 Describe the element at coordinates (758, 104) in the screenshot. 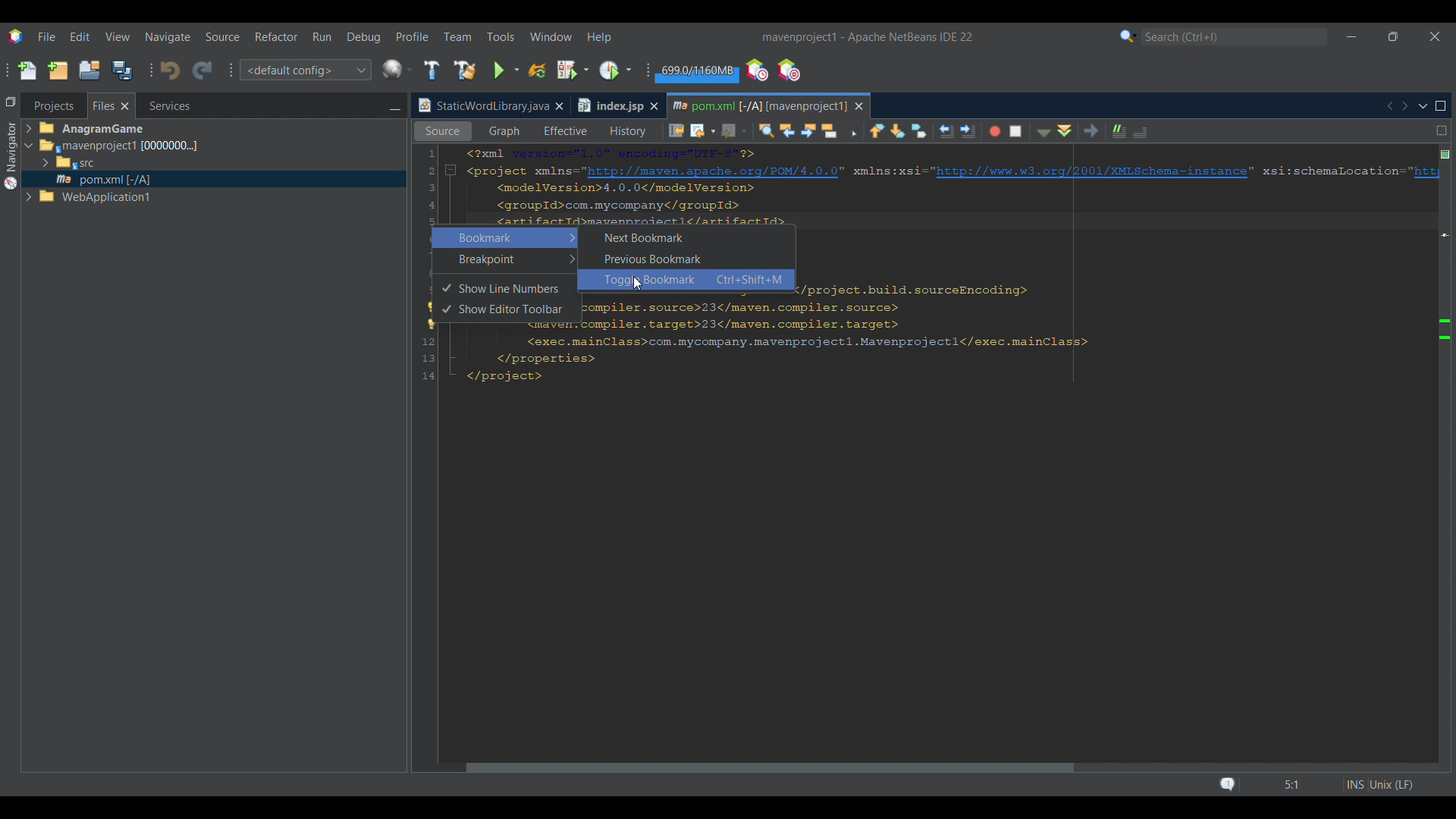

I see `Current tab highlighted` at that location.